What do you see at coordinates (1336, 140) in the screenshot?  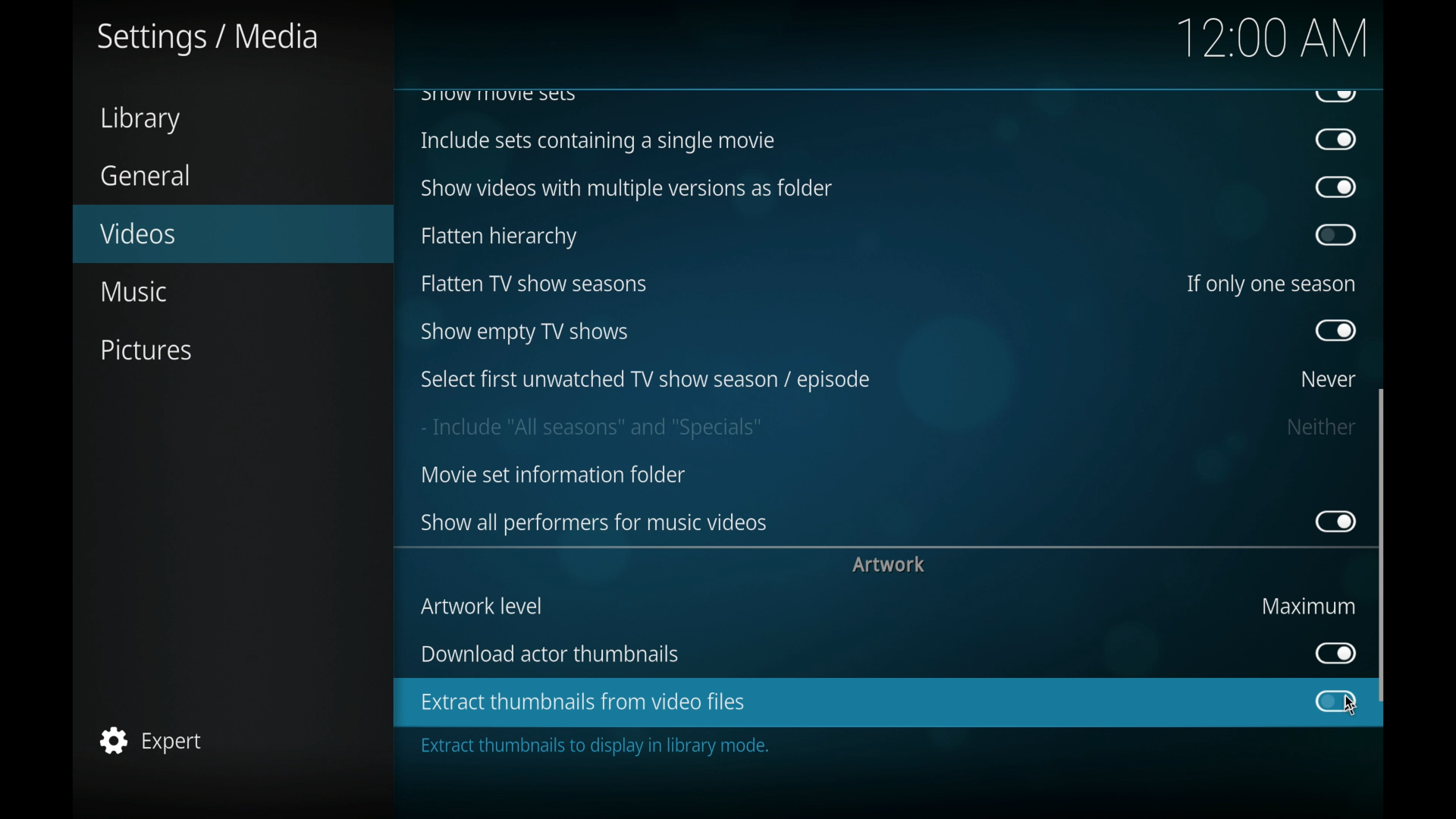 I see `toggle button` at bounding box center [1336, 140].